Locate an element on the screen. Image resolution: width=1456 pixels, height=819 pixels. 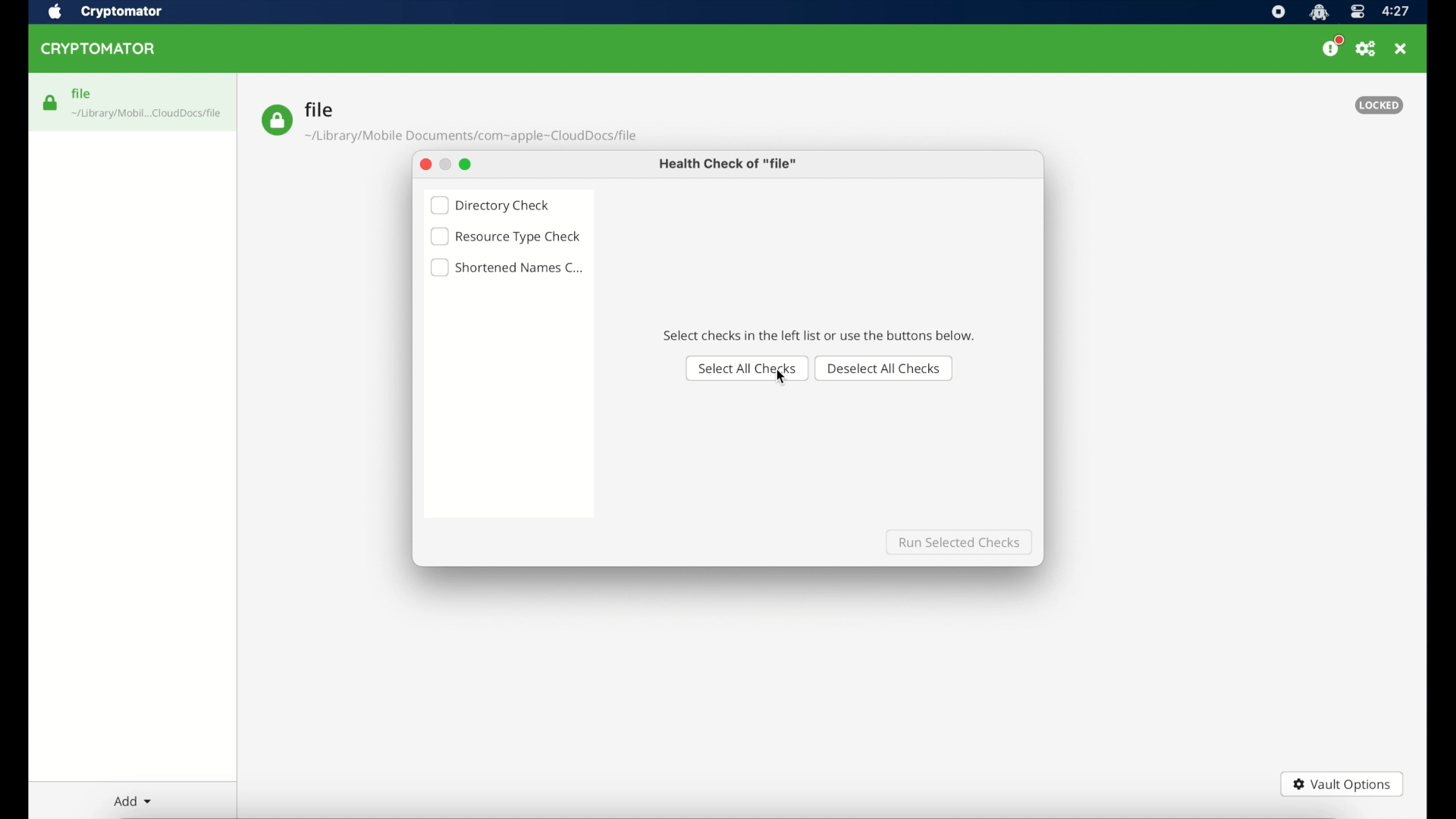
screen recorder icon is located at coordinates (1278, 12).